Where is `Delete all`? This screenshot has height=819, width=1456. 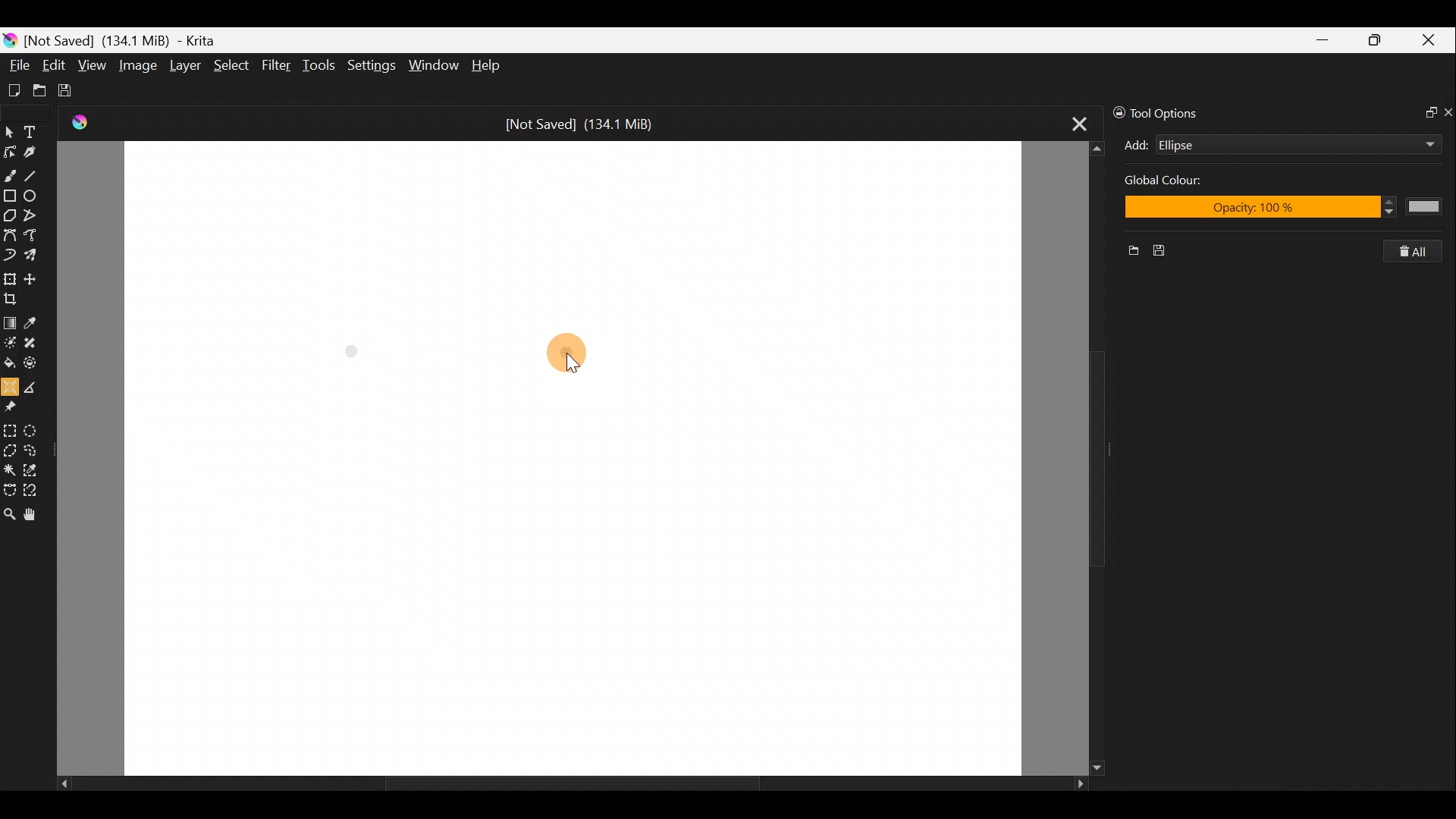 Delete all is located at coordinates (1421, 252).